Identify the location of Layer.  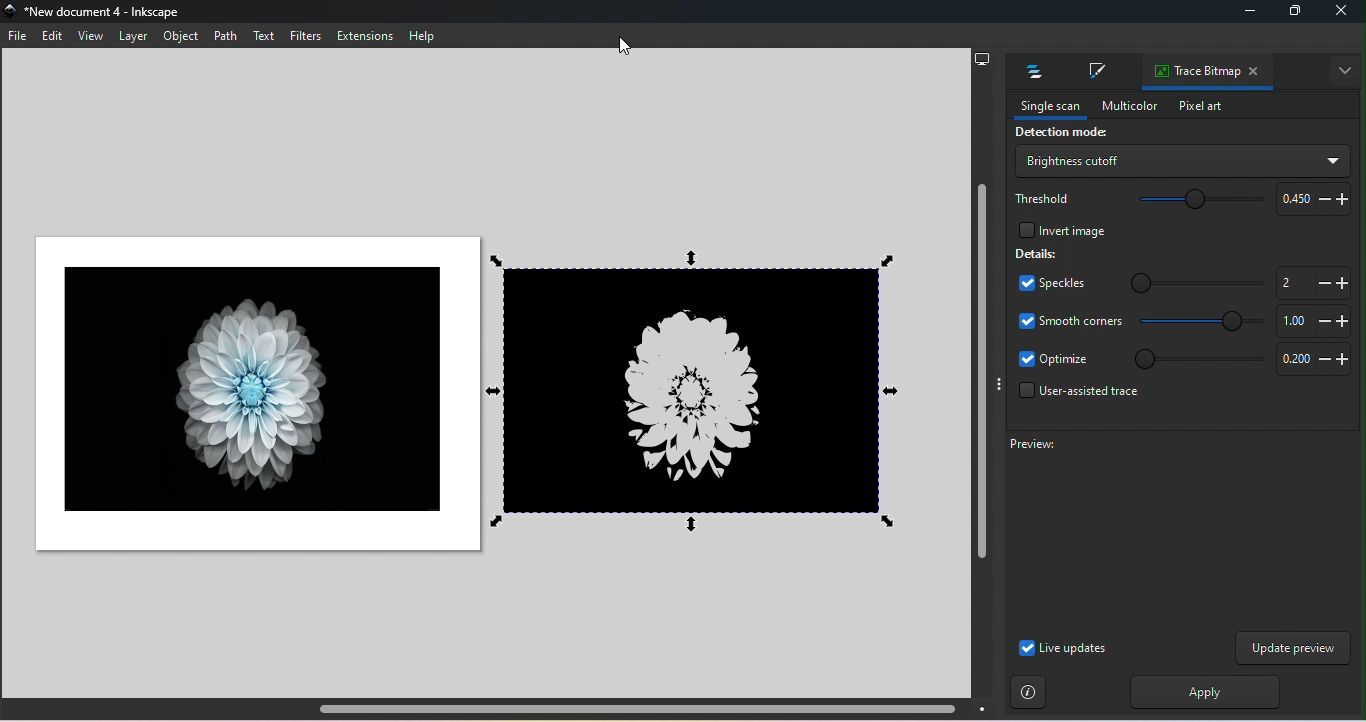
(132, 36).